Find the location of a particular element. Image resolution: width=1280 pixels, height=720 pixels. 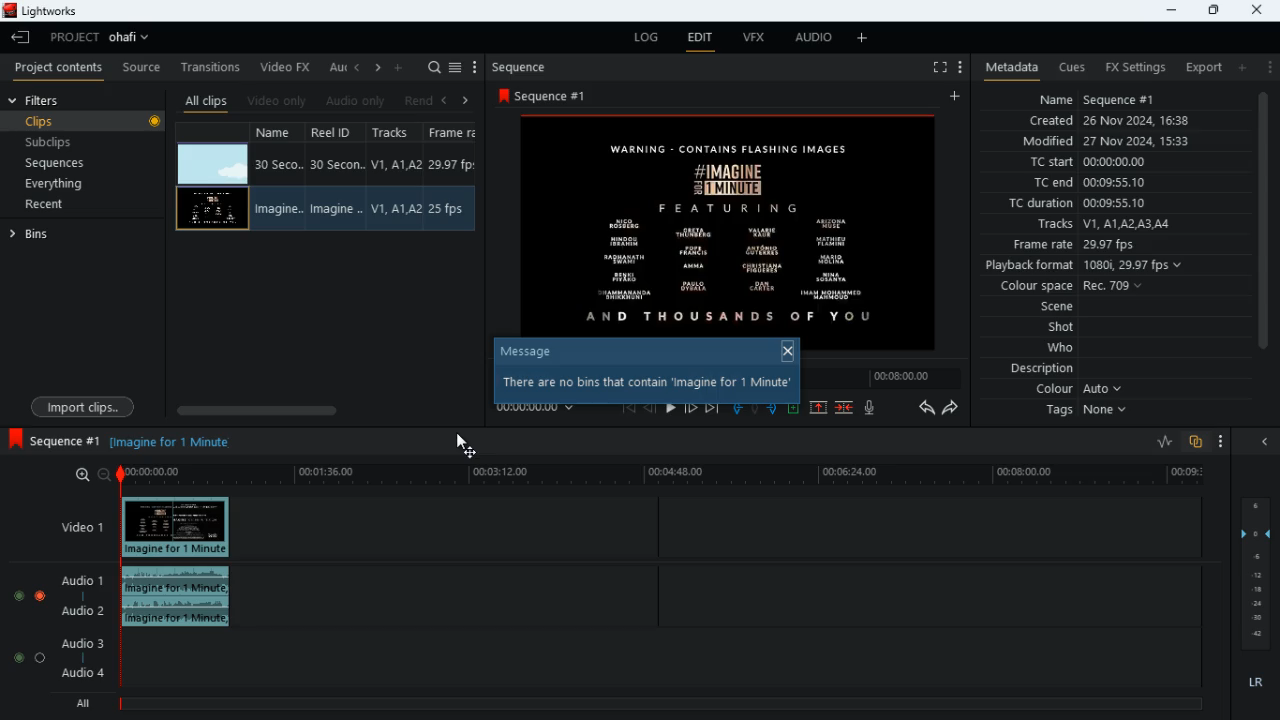

tracks is located at coordinates (1107, 224).